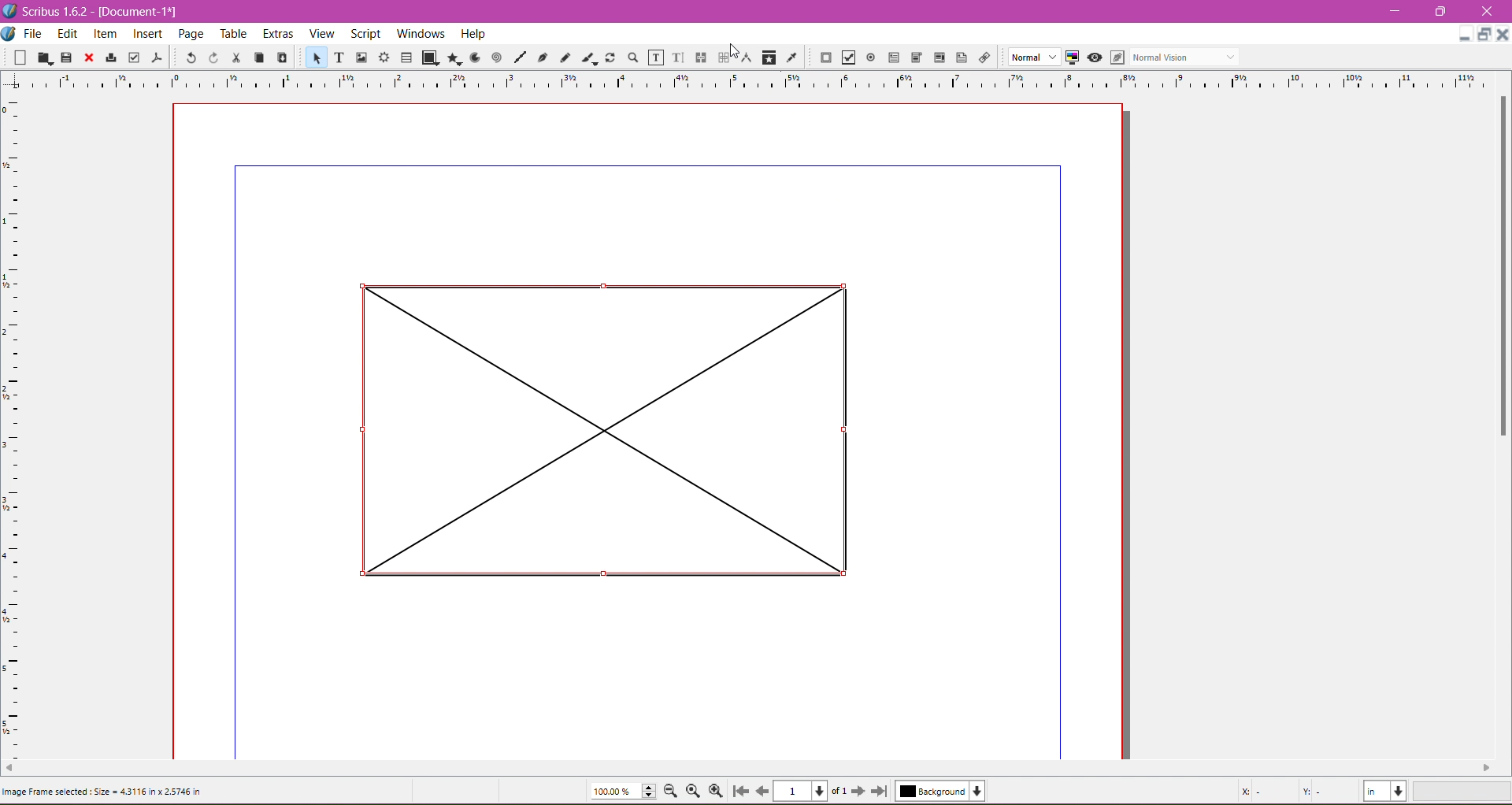  I want to click on Redo, so click(213, 58).